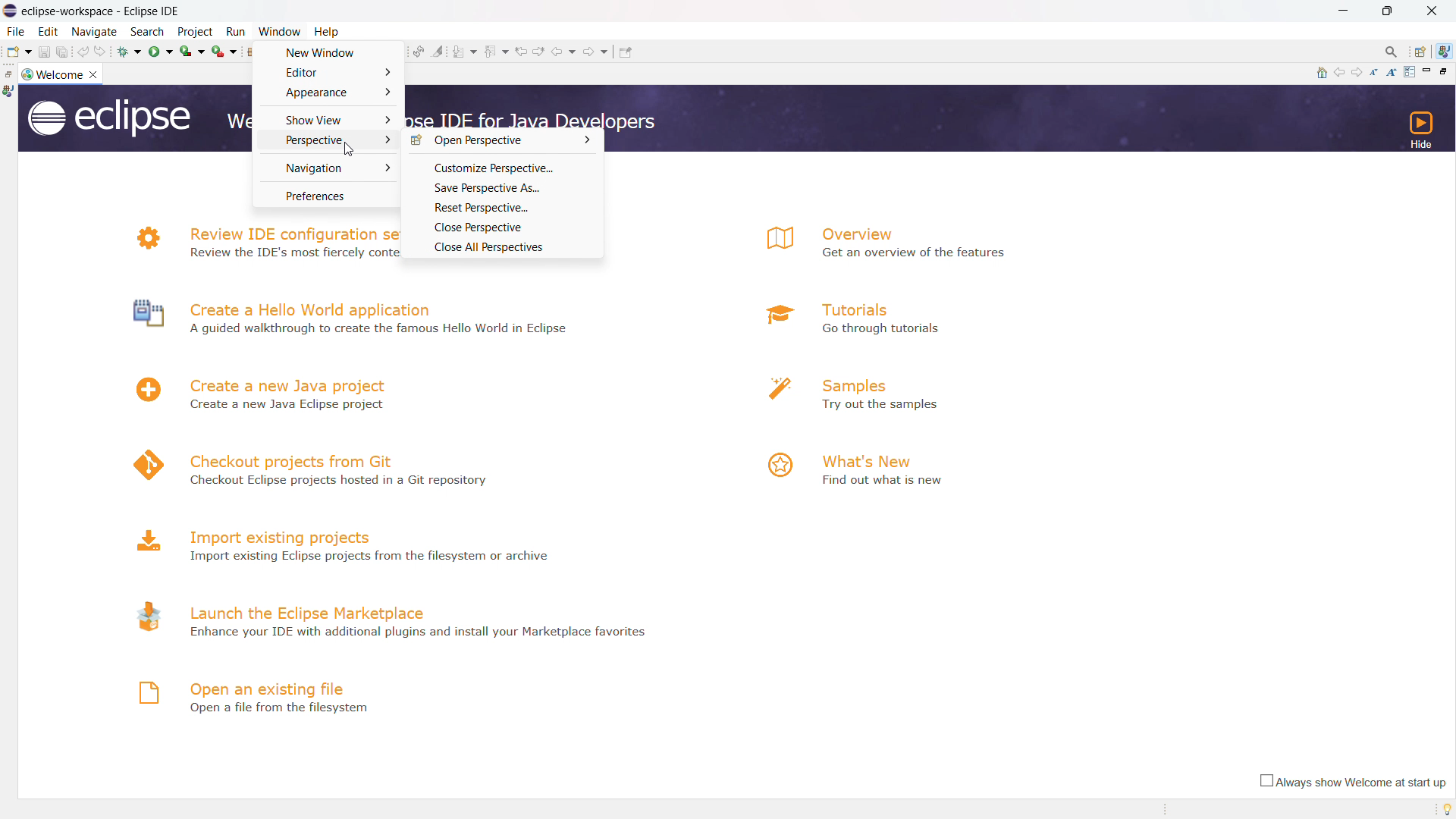  I want to click on minimize page, so click(1427, 71).